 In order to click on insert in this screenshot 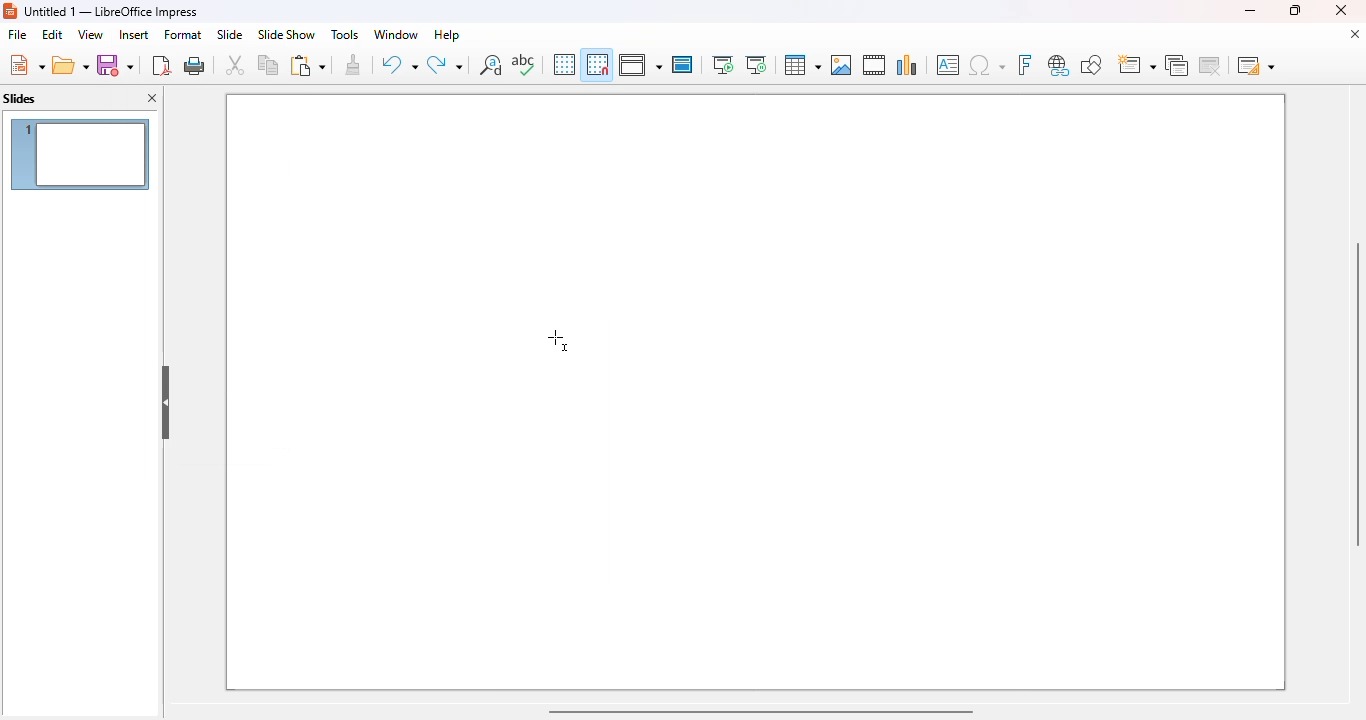, I will do `click(134, 35)`.